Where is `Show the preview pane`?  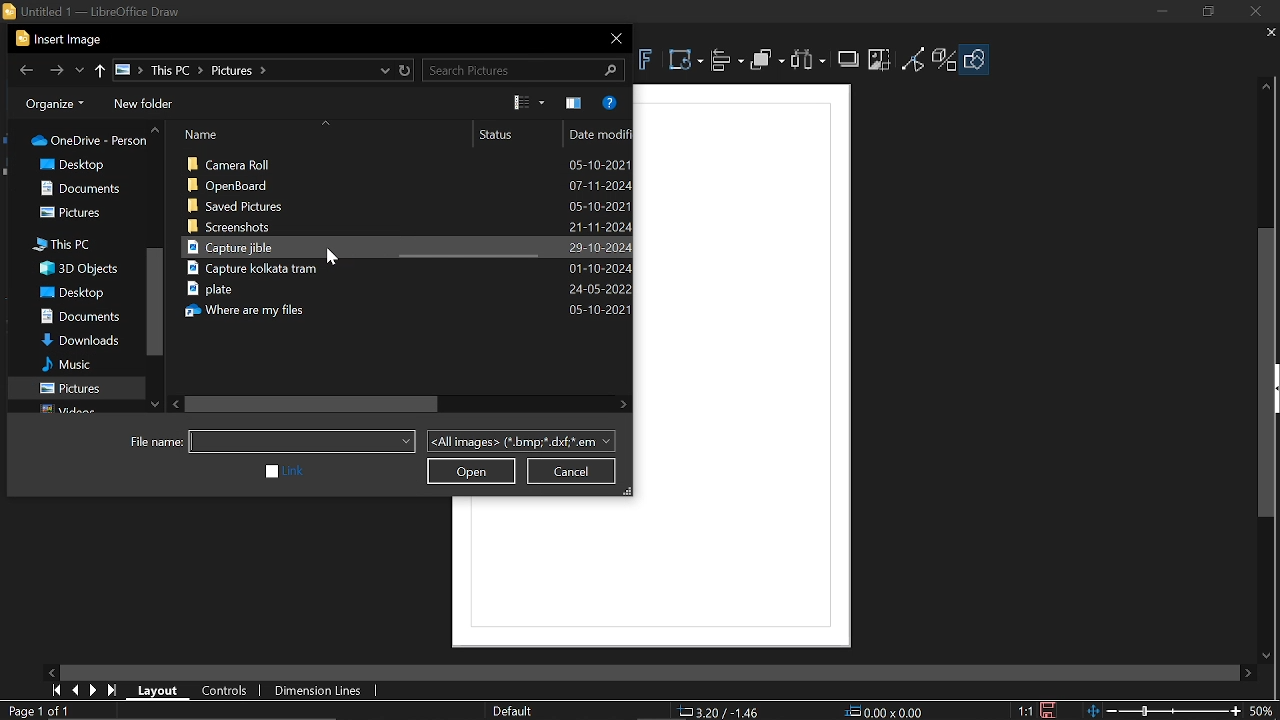 Show the preview pane is located at coordinates (574, 104).